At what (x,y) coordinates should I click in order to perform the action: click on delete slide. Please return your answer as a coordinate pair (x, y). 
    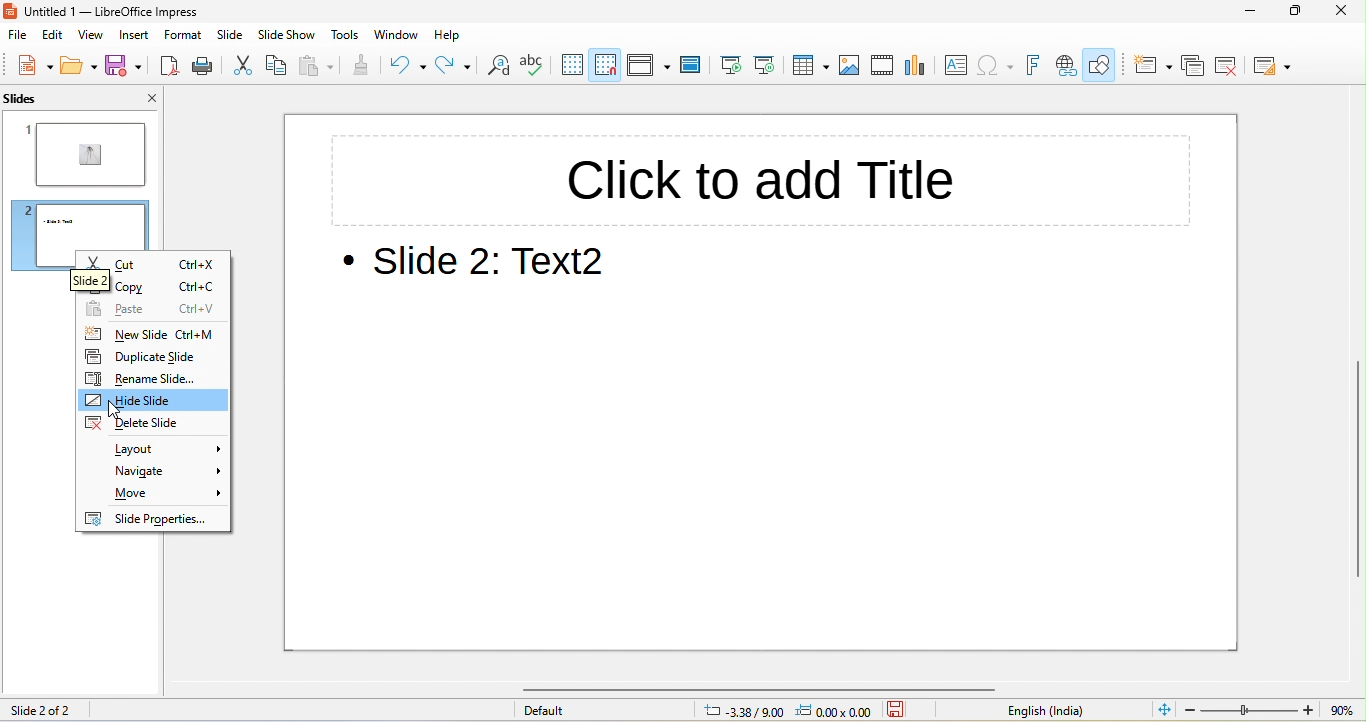
    Looking at the image, I should click on (1236, 67).